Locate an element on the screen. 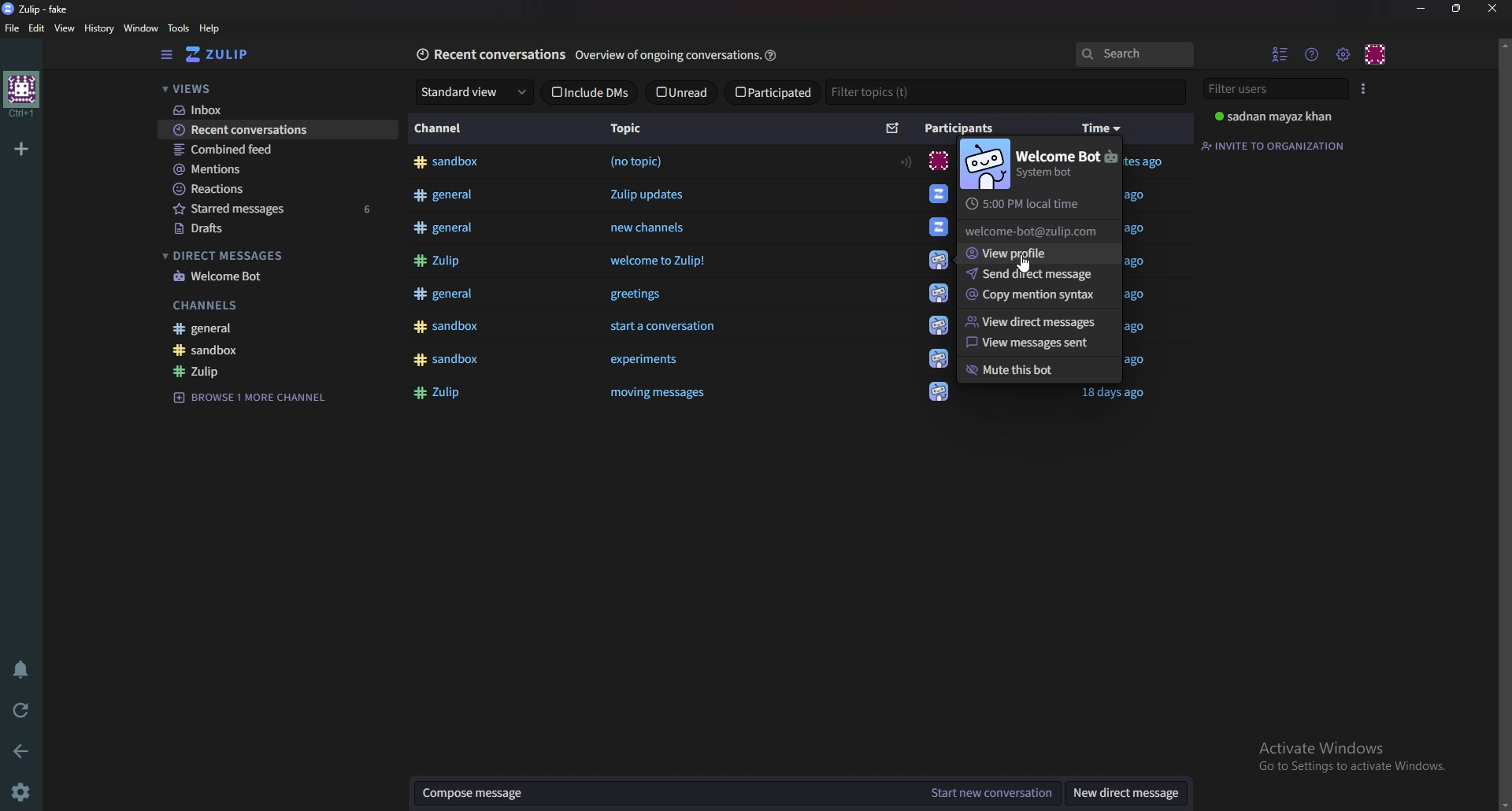 The width and height of the screenshot is (1512, 811). Filter users is located at coordinates (1275, 89).